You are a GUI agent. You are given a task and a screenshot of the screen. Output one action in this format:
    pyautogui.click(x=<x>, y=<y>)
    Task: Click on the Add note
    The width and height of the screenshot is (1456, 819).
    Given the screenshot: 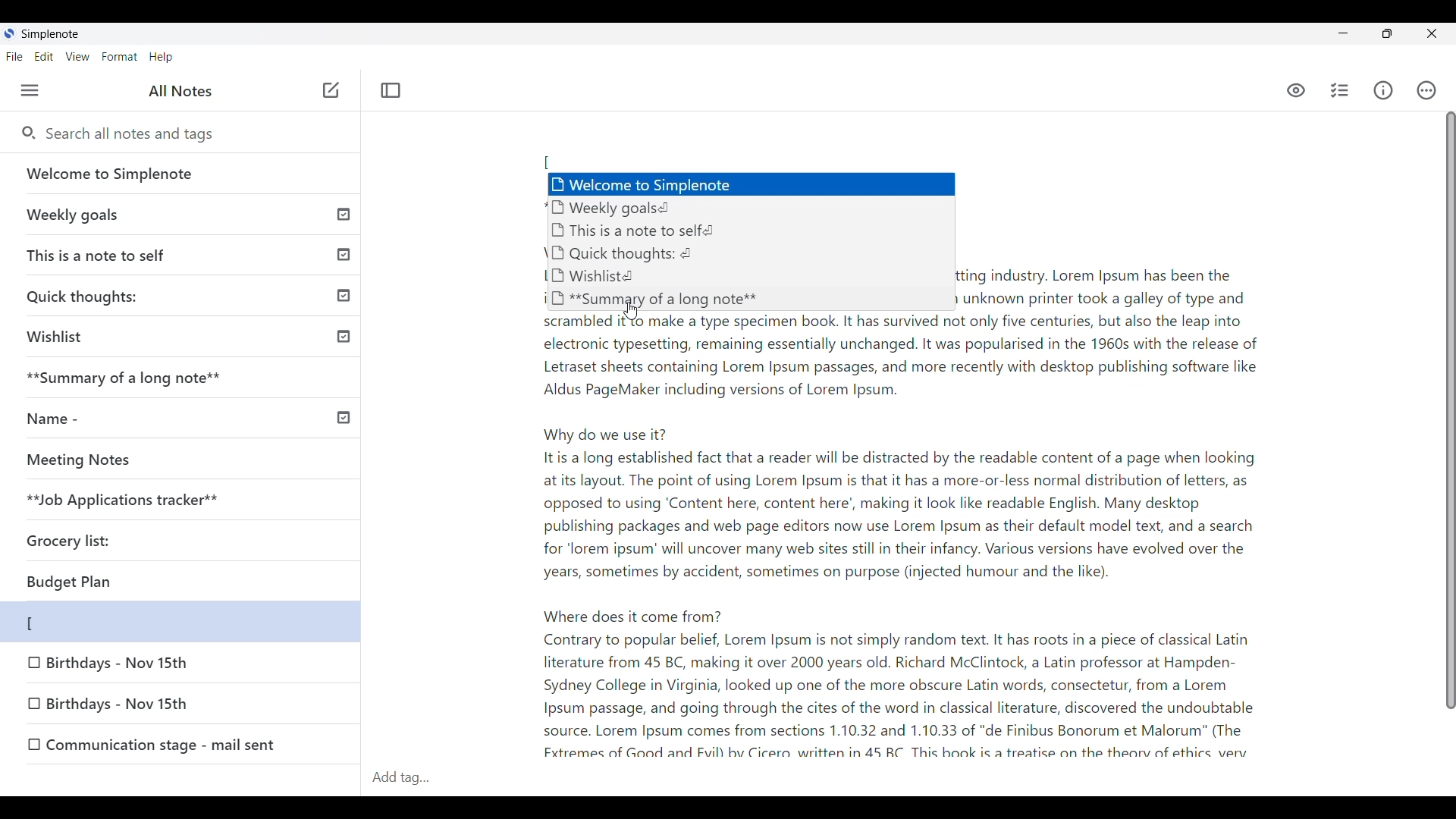 What is the action you would take?
    pyautogui.click(x=329, y=91)
    